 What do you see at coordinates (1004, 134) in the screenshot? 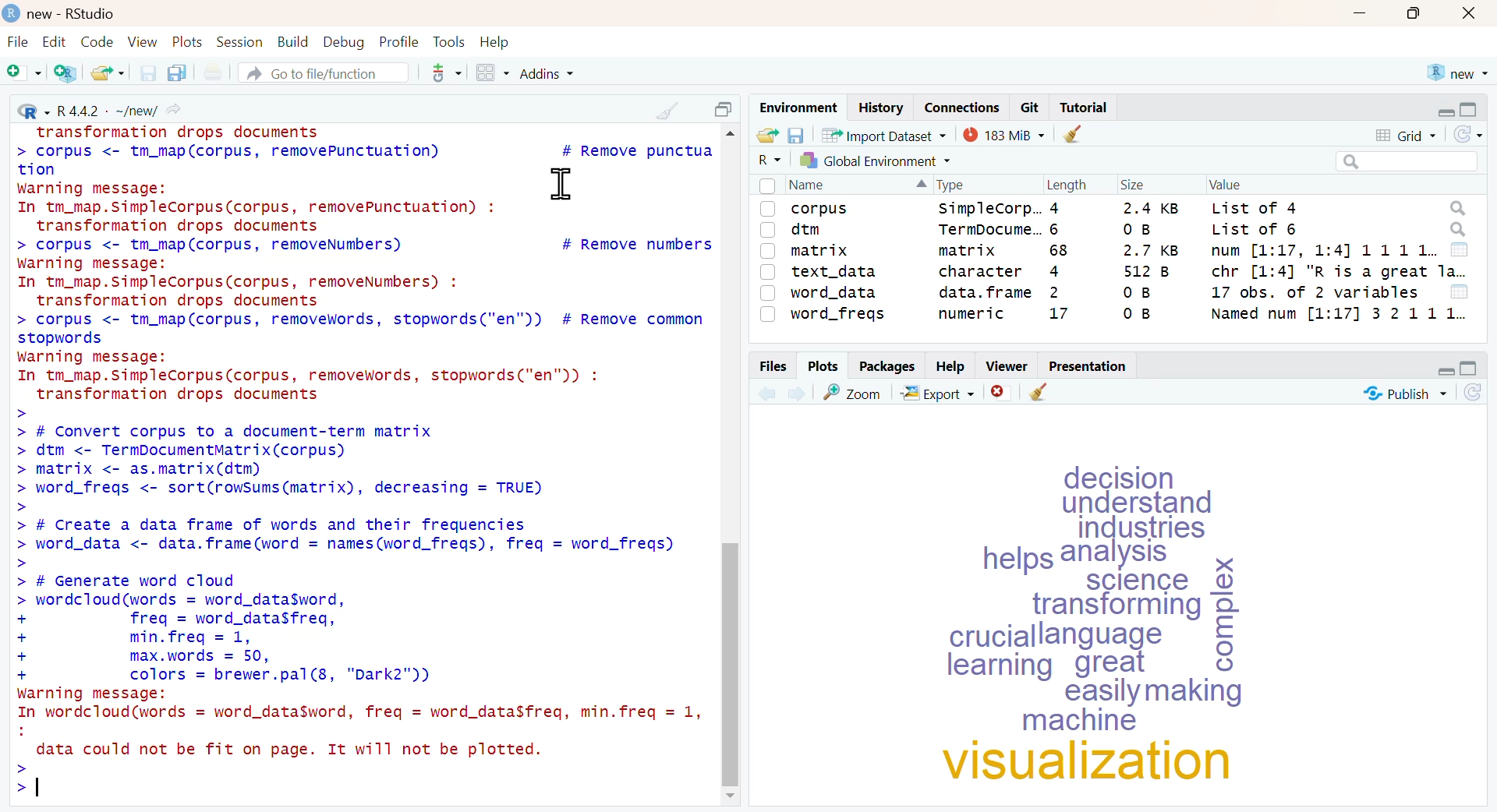
I see `183 MiB` at bounding box center [1004, 134].